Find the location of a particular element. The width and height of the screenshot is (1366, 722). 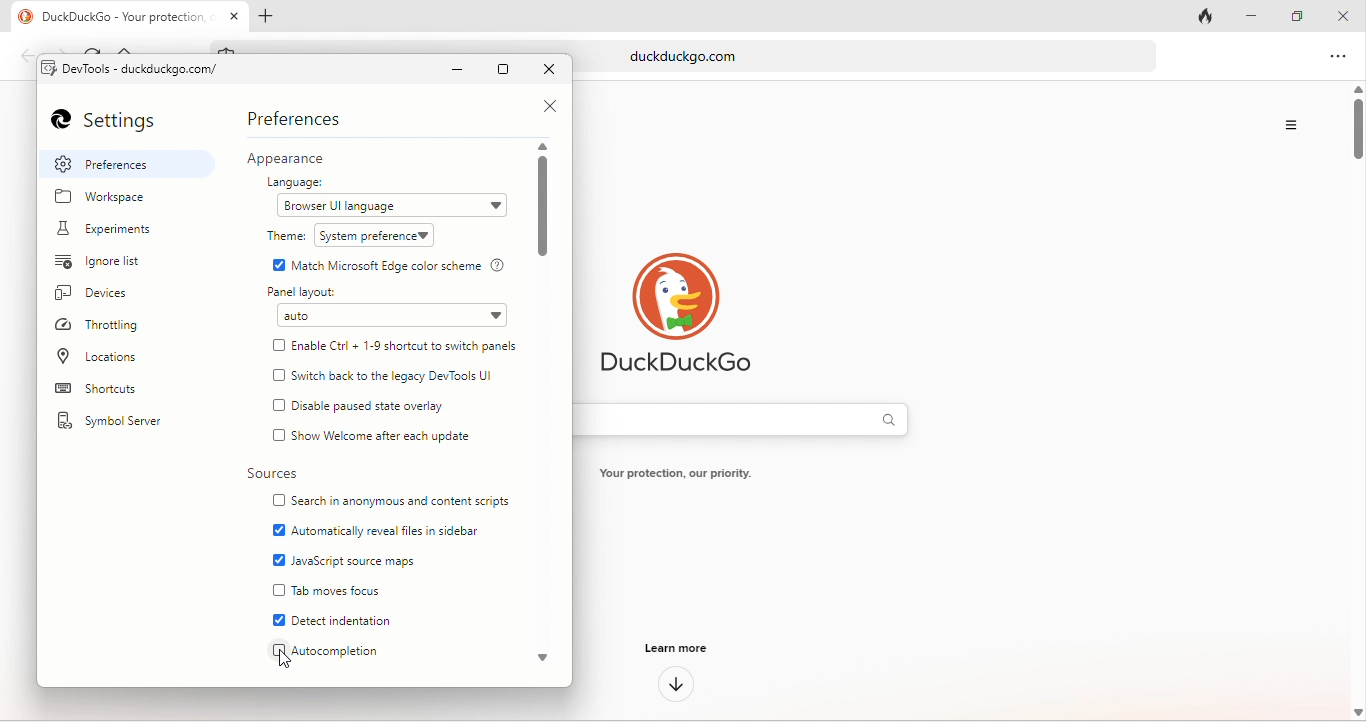

show welcome after each update is located at coordinates (390, 434).